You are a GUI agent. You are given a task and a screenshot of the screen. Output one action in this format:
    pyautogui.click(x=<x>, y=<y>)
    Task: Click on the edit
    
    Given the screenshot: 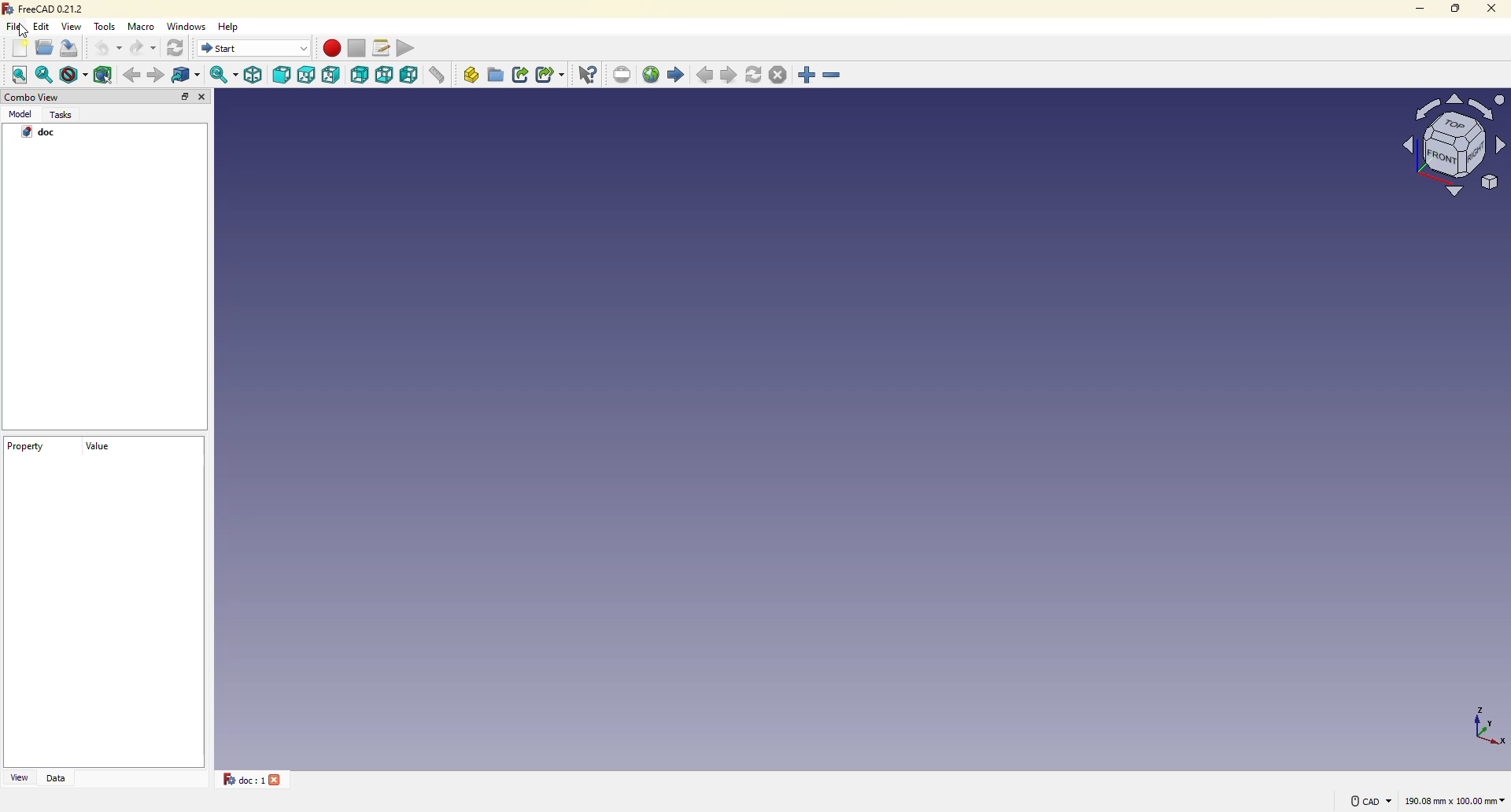 What is the action you would take?
    pyautogui.click(x=43, y=26)
    